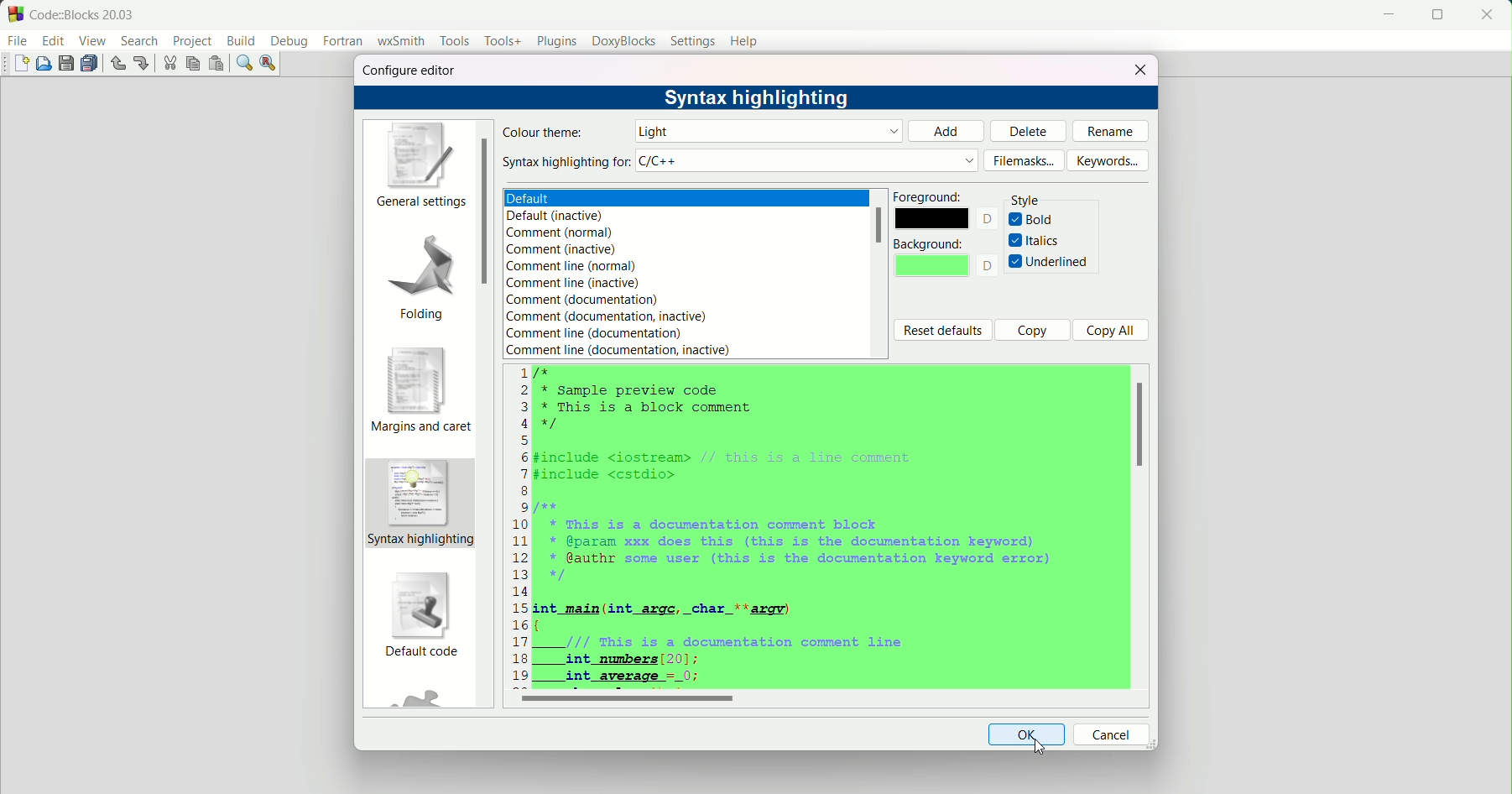 The width and height of the screenshot is (1512, 794). I want to click on tools, so click(454, 41).